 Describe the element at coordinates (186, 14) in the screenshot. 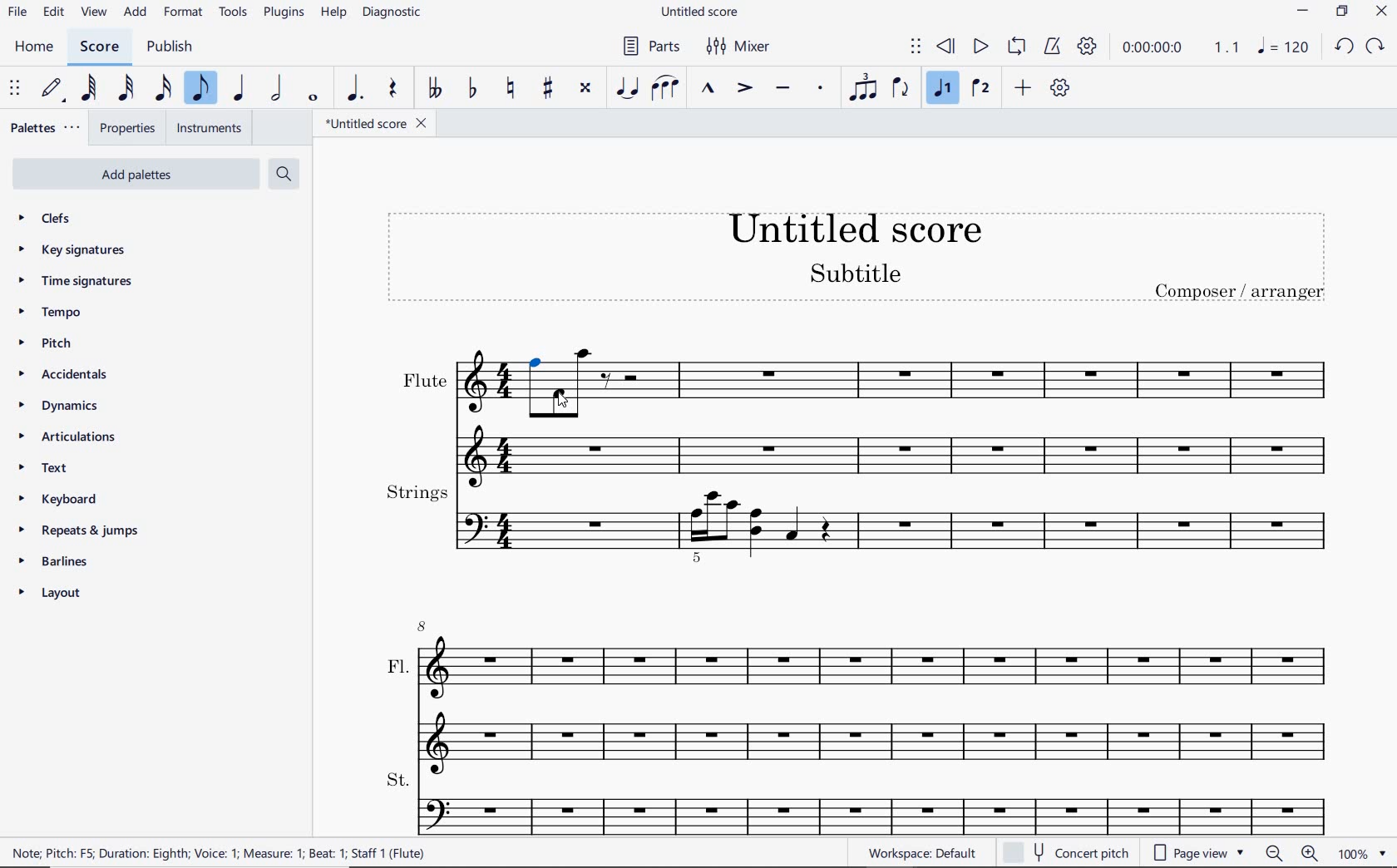

I see `FORMAT` at that location.